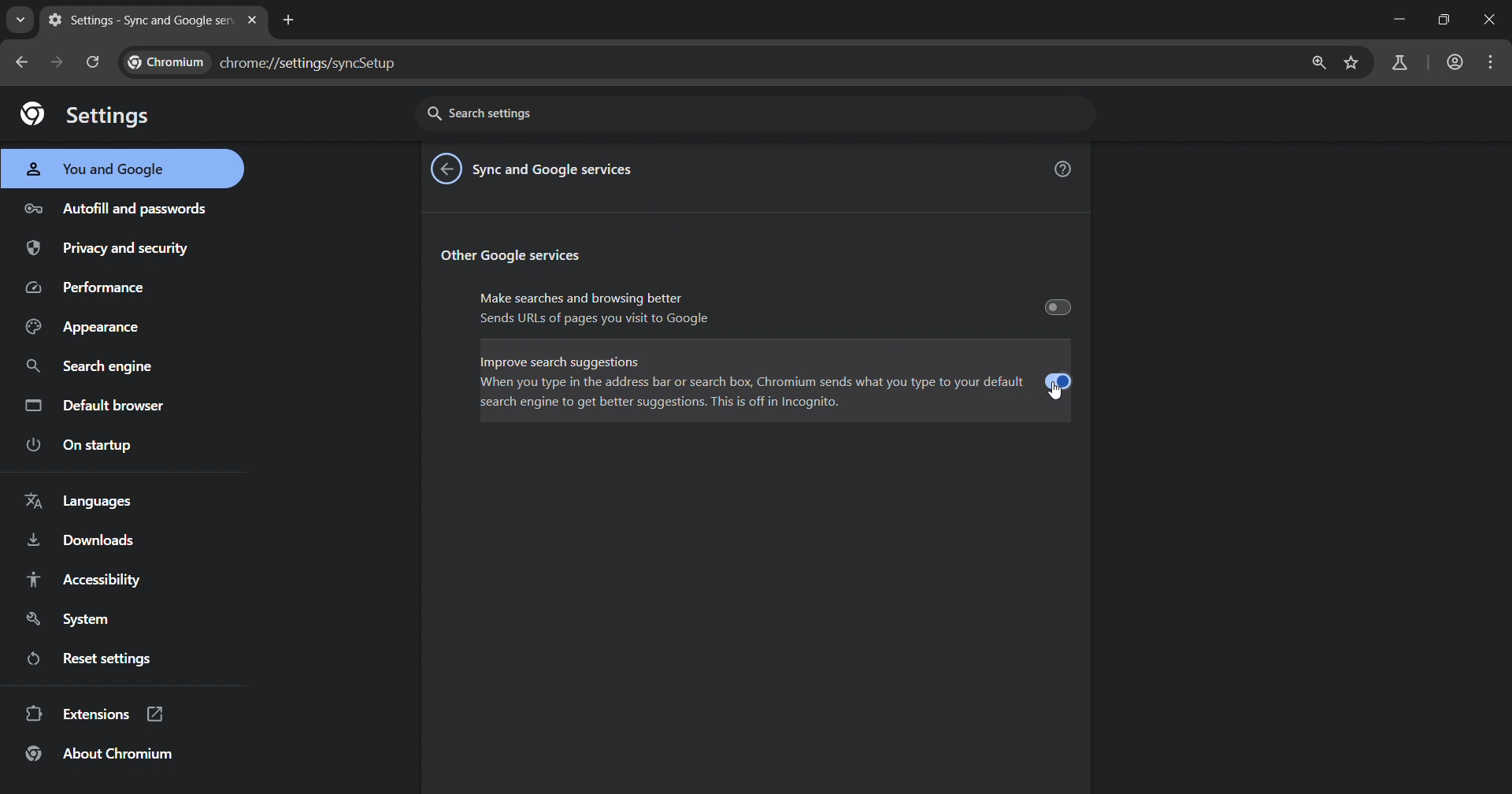 Image resolution: width=1512 pixels, height=794 pixels. What do you see at coordinates (557, 171) in the screenshot?
I see `Sync and Google services` at bounding box center [557, 171].